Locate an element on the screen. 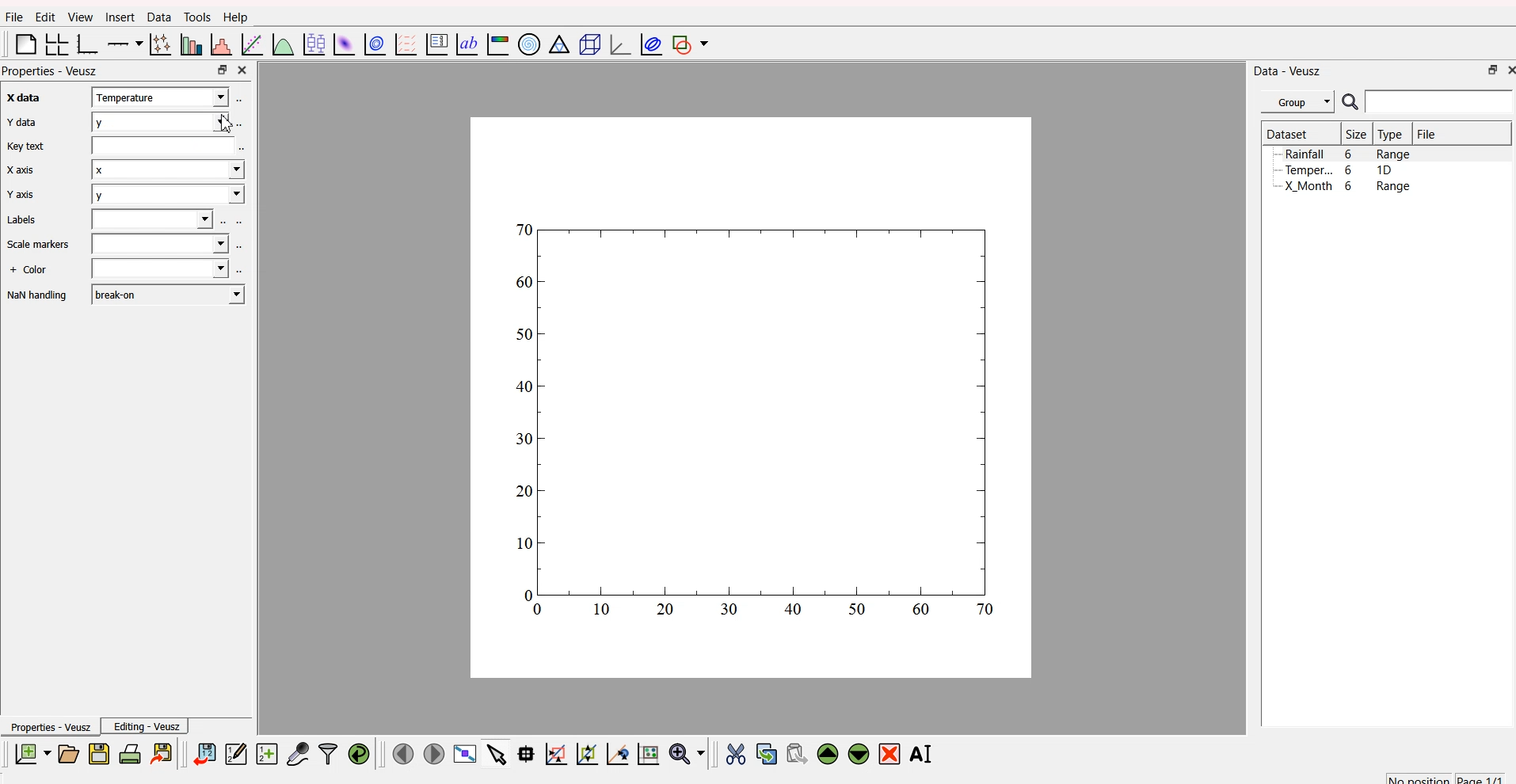 The height and width of the screenshot is (784, 1516). Properties - Veusz is located at coordinates (49, 726).